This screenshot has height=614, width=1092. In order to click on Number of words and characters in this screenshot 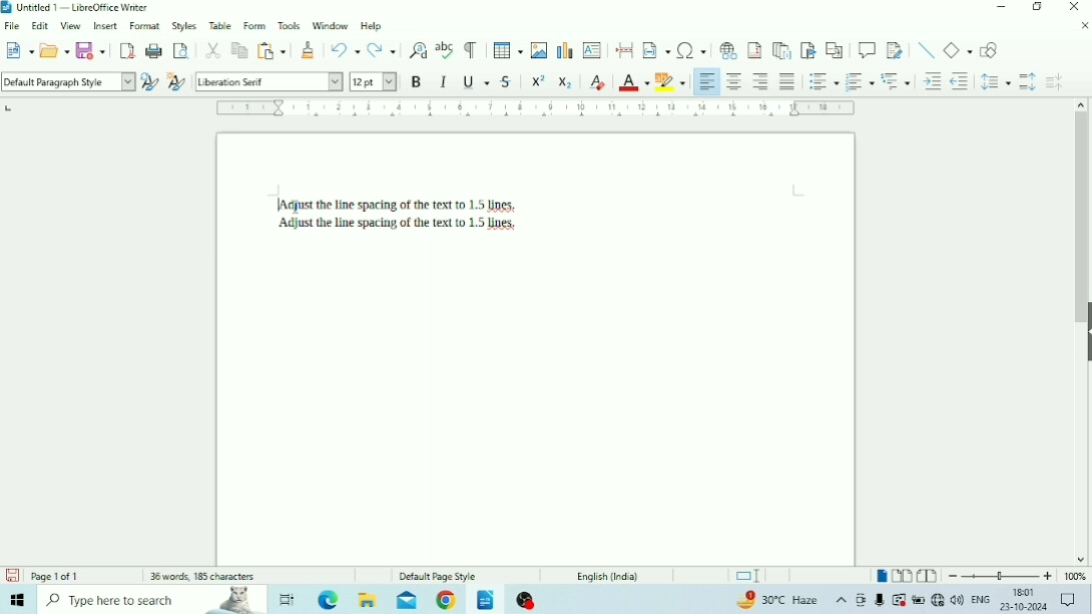, I will do `click(202, 575)`.